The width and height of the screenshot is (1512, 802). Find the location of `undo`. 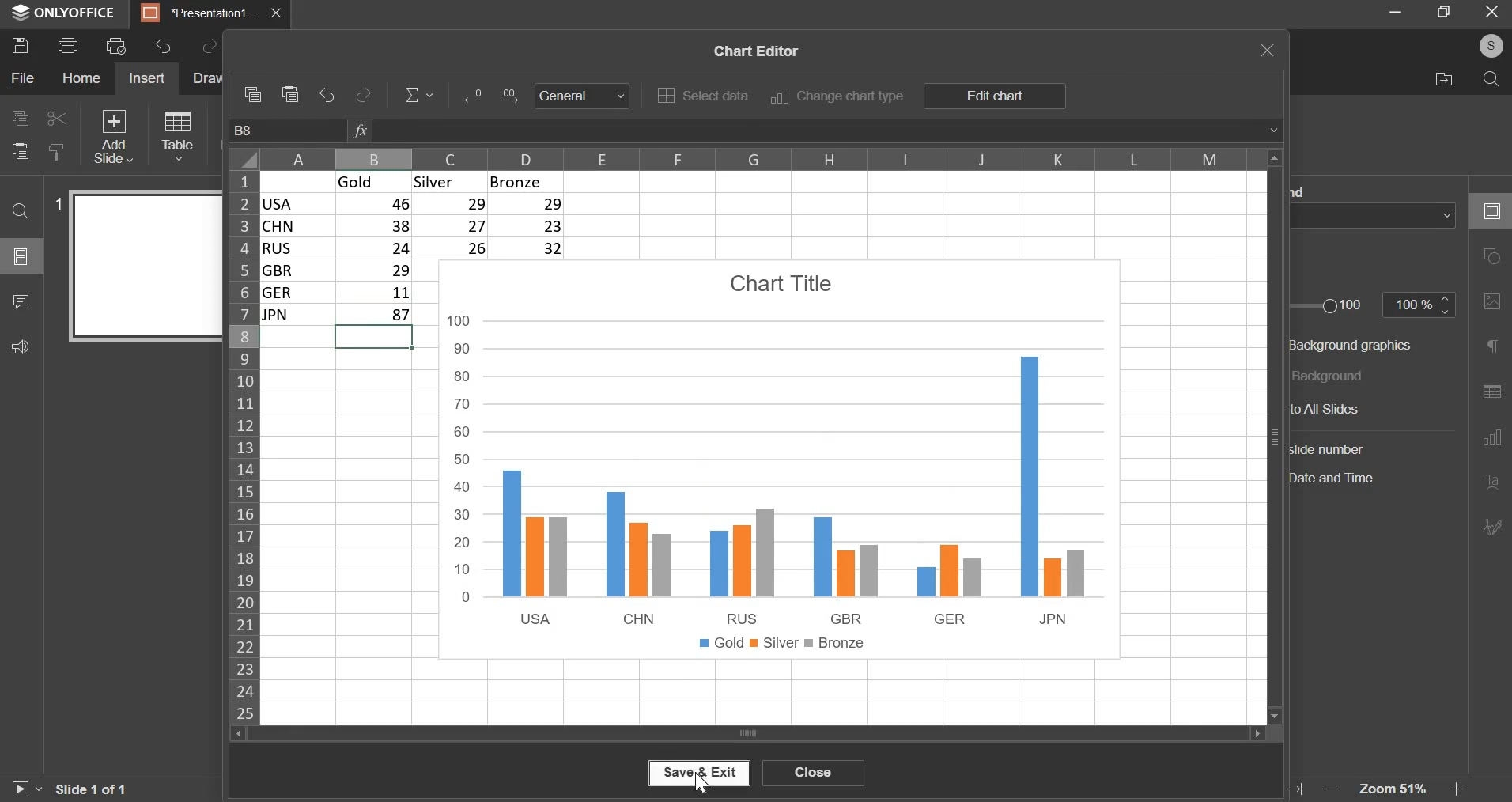

undo is located at coordinates (328, 96).